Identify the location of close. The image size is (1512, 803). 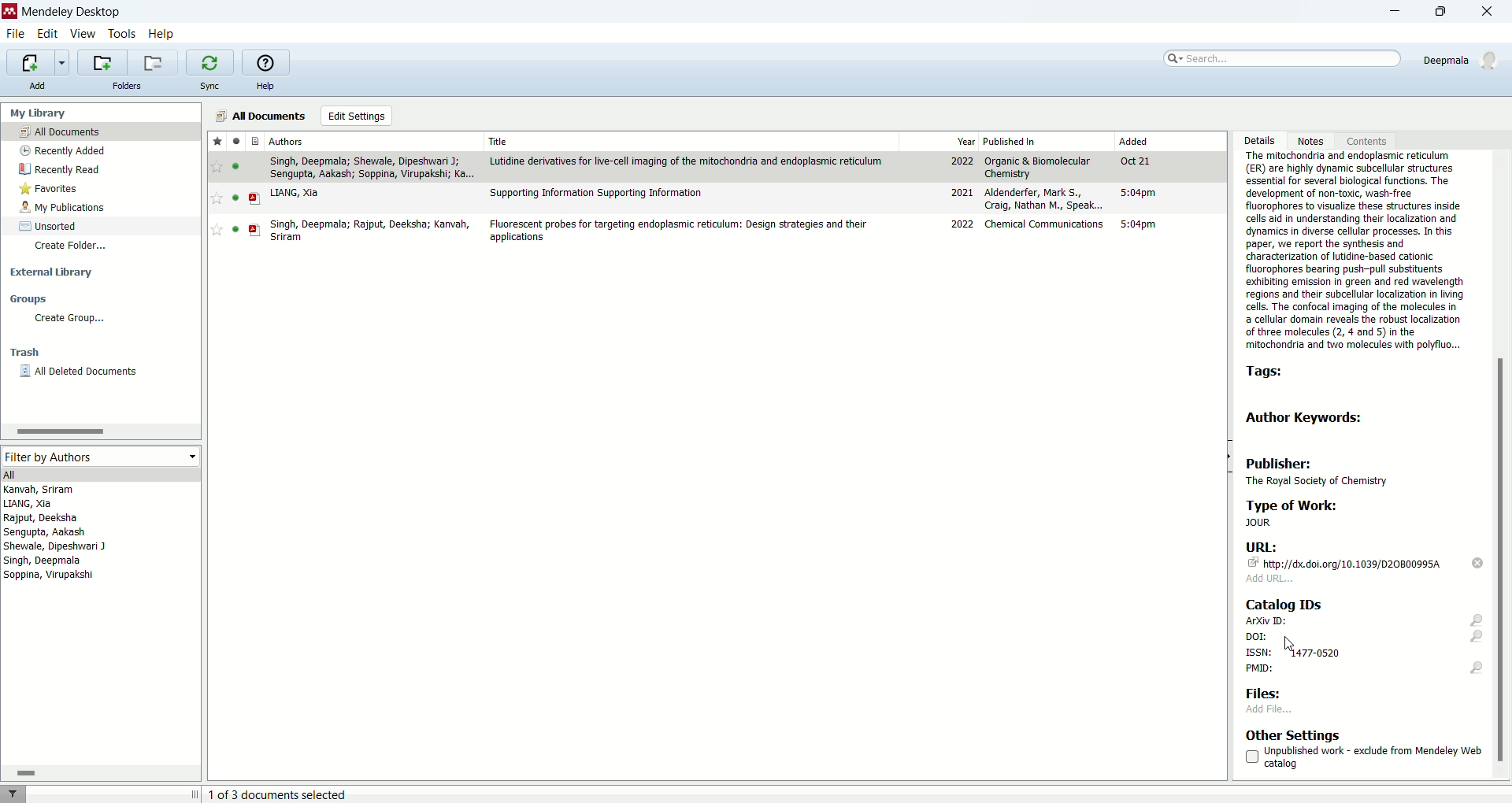
(1492, 13).